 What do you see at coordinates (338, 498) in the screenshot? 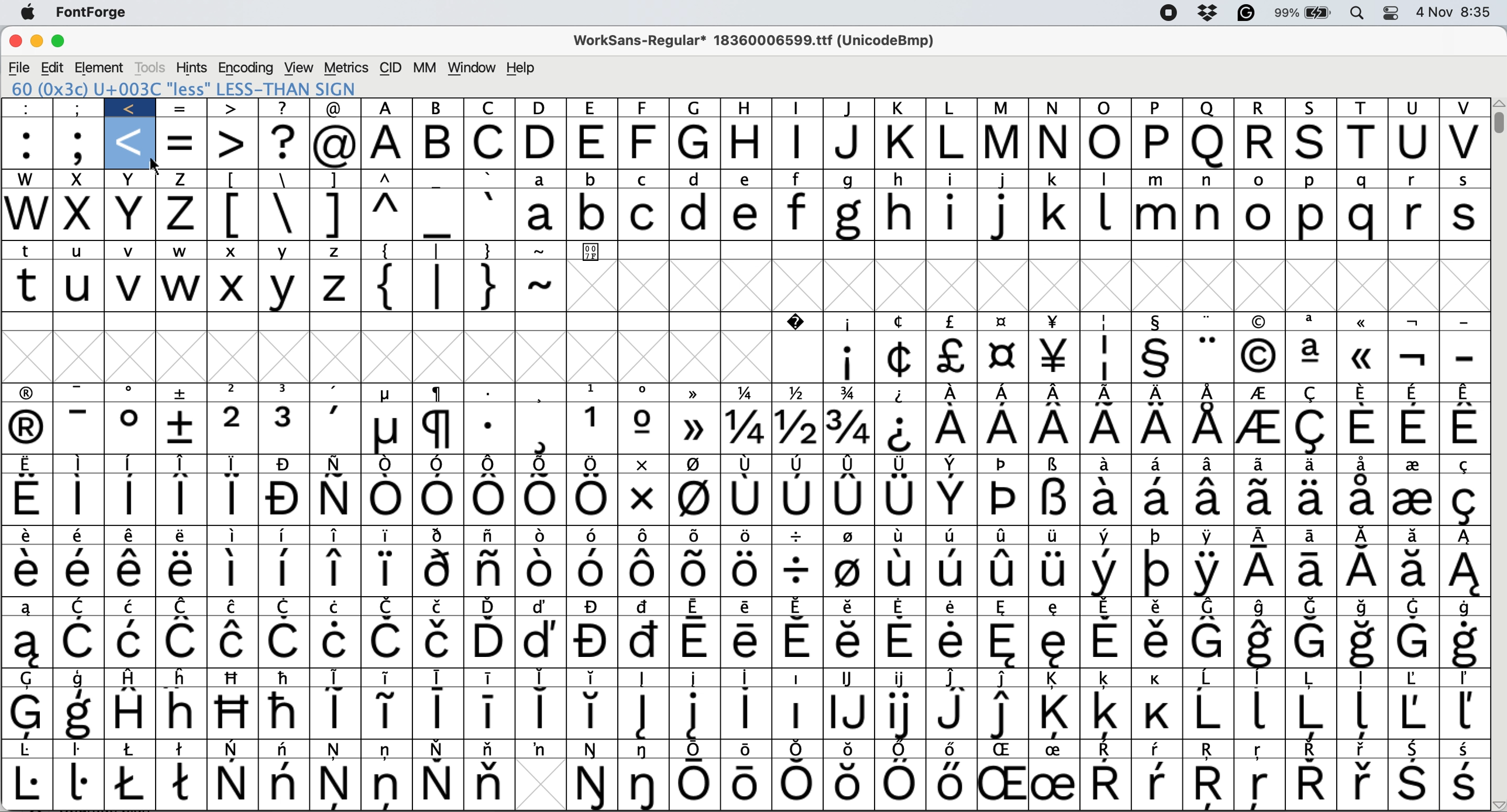
I see `Symbol` at bounding box center [338, 498].